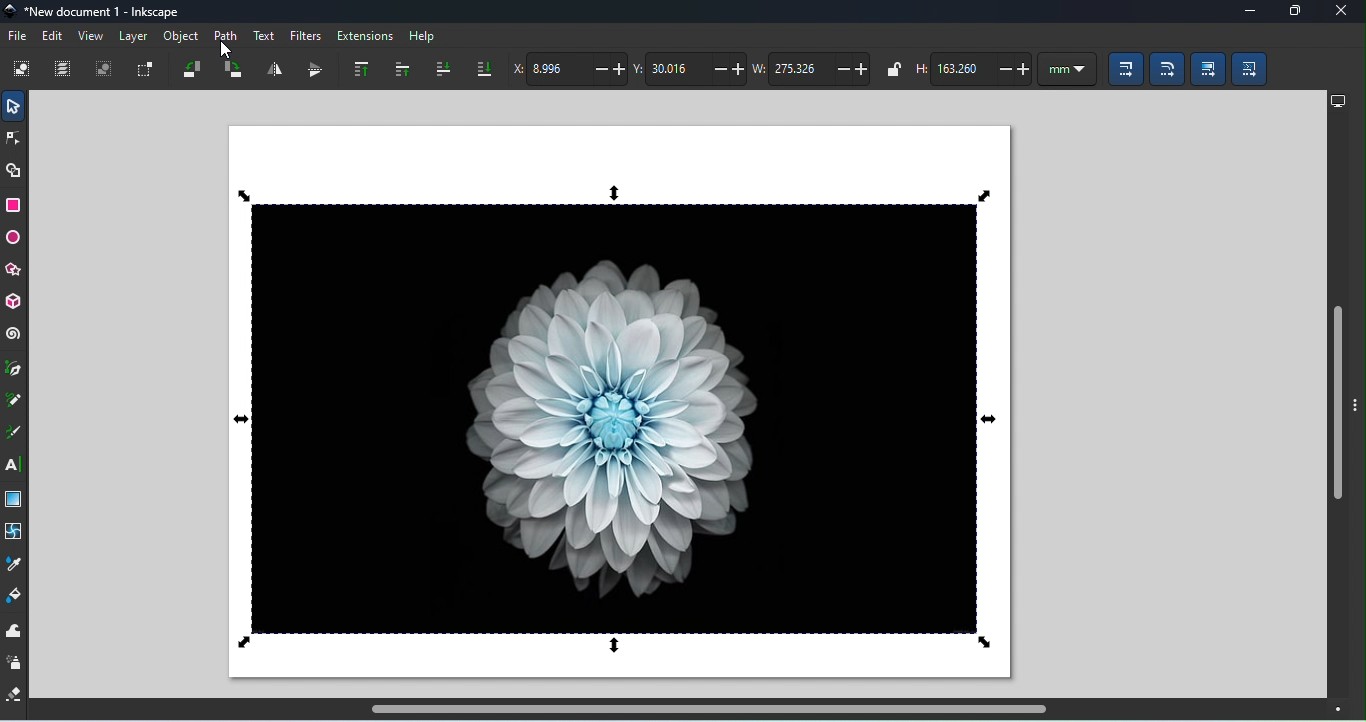 The width and height of the screenshot is (1366, 722). What do you see at coordinates (16, 240) in the screenshot?
I see `Ellipse/arc tool` at bounding box center [16, 240].